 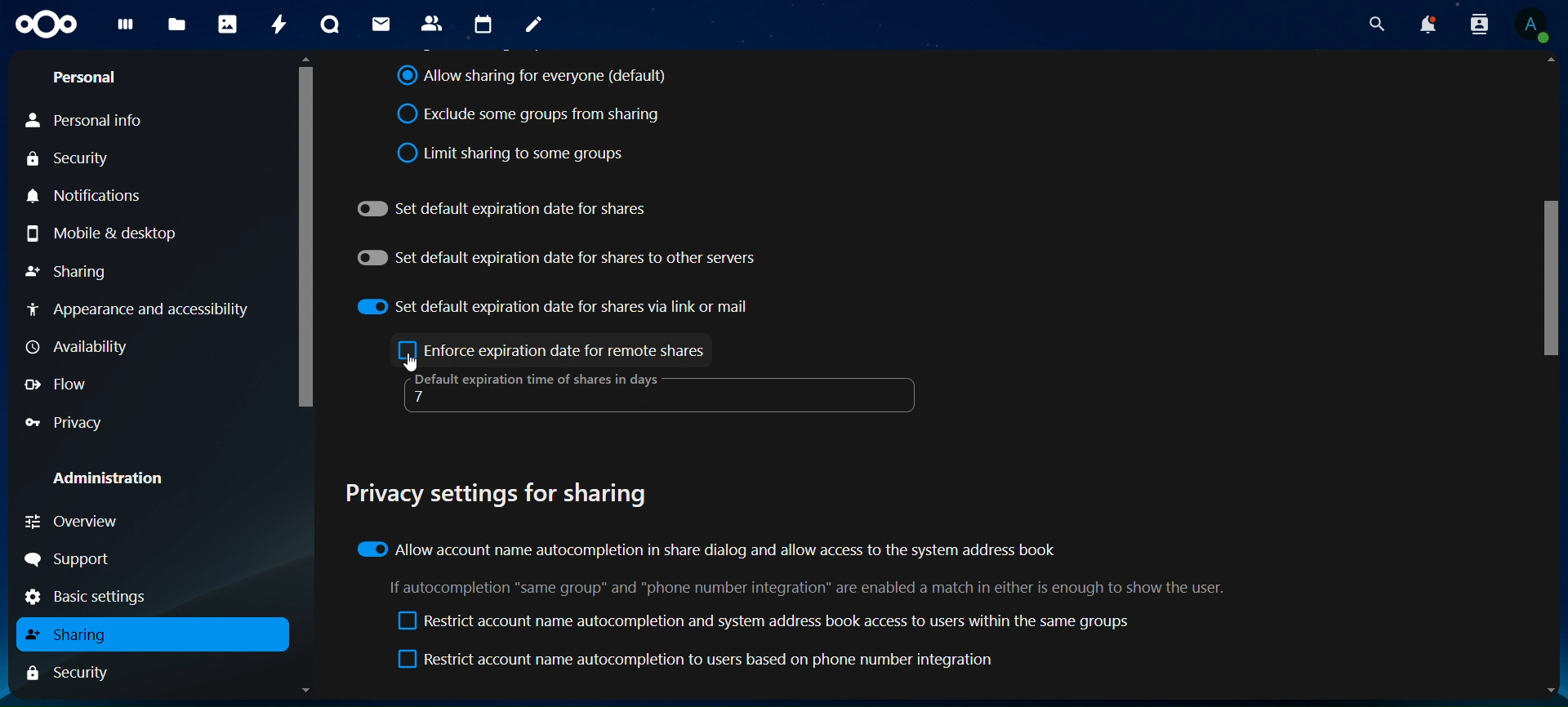 I want to click on search contacts, so click(x=1478, y=25).